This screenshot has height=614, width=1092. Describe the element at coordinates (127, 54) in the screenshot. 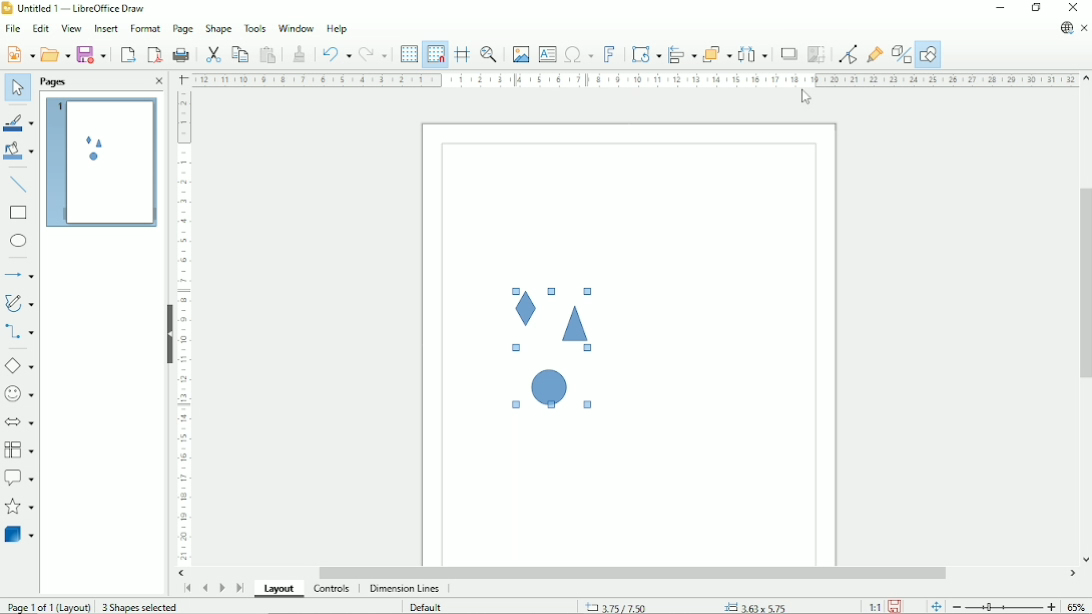

I see `Export` at that location.